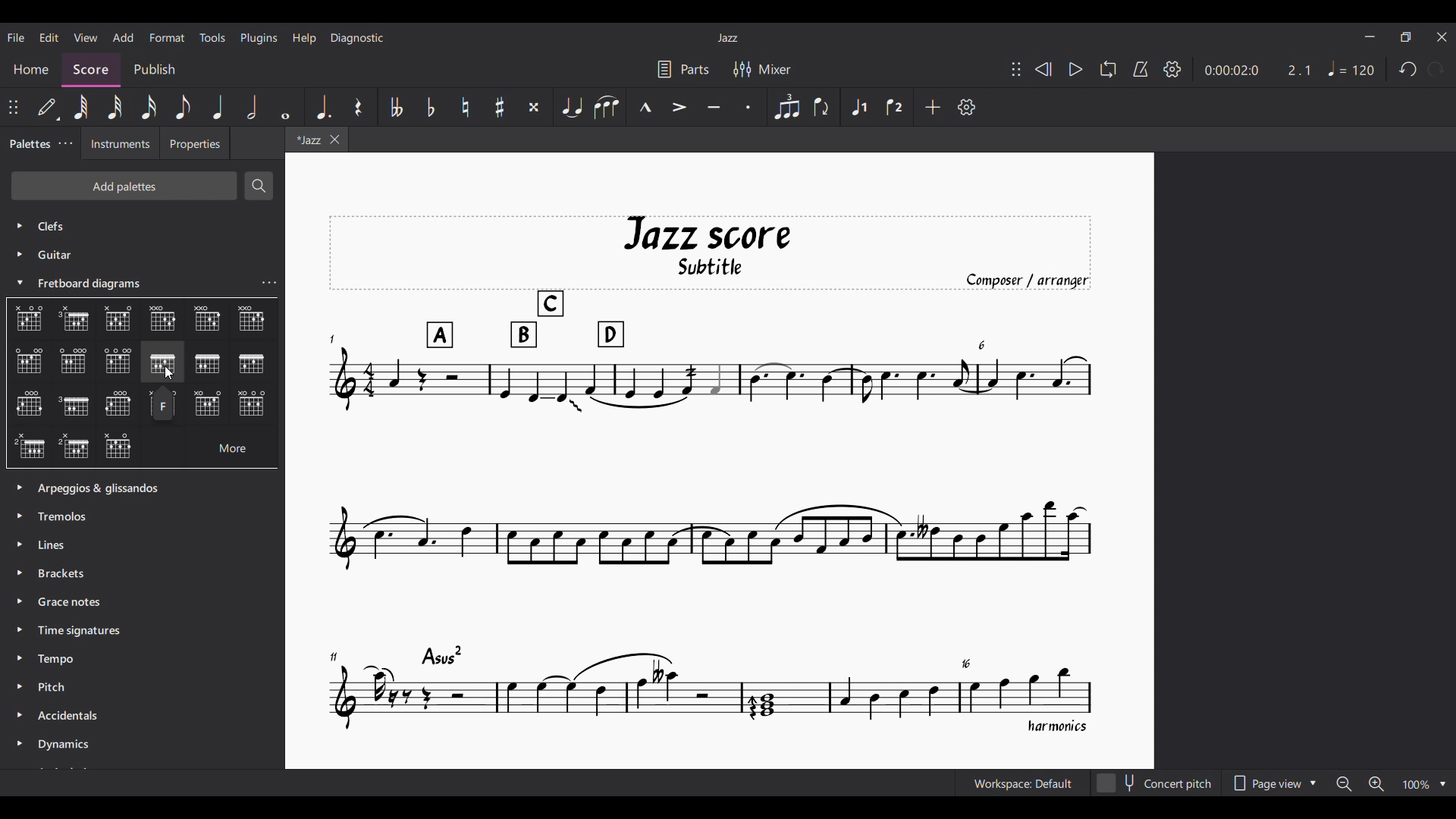 The width and height of the screenshot is (1456, 819). What do you see at coordinates (466, 107) in the screenshot?
I see `Toggle natural` at bounding box center [466, 107].